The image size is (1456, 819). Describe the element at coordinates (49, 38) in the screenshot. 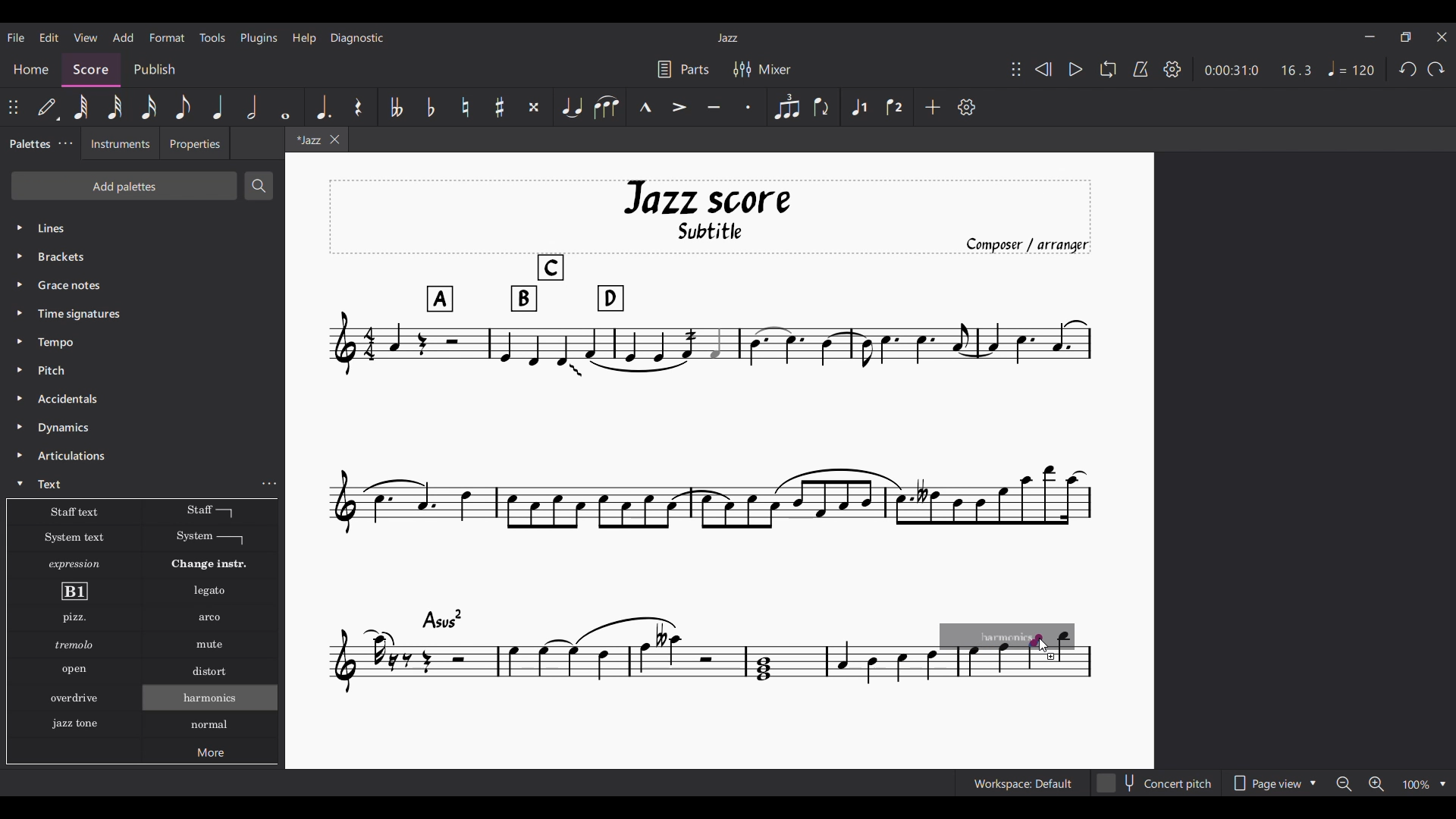

I see `Edit menu` at that location.